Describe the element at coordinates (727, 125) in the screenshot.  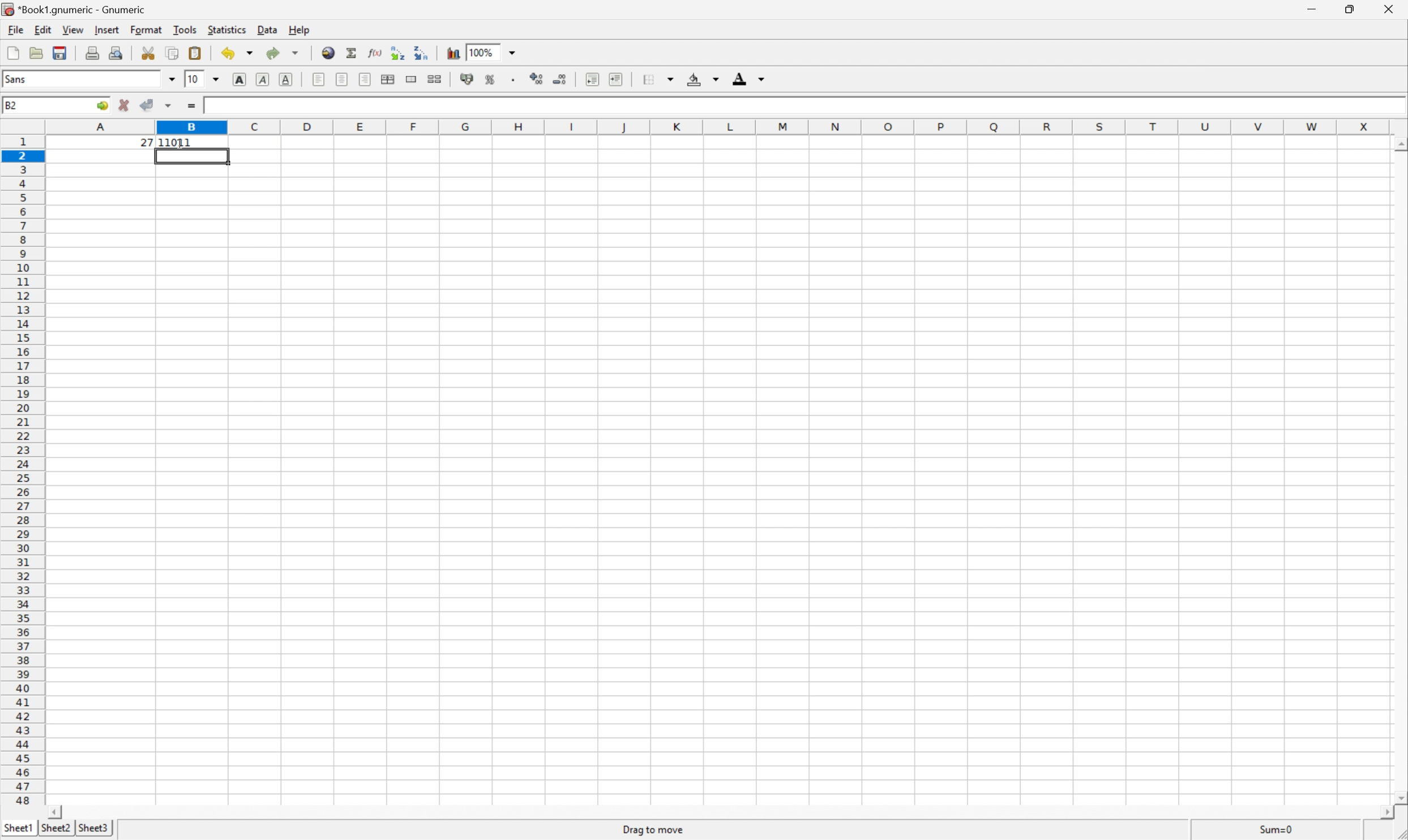
I see `Column names` at that location.